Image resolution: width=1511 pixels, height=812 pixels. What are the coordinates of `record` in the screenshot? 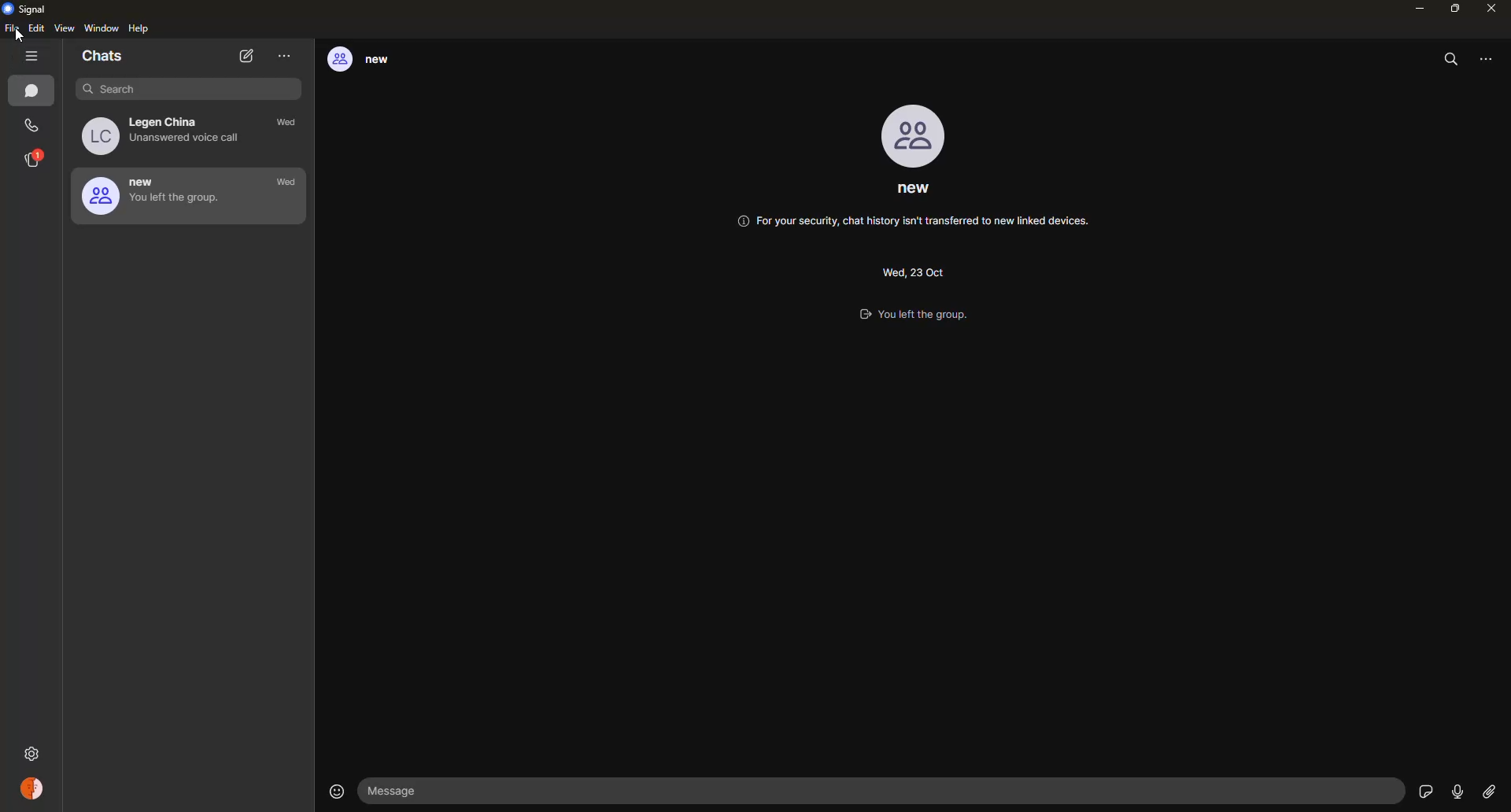 It's located at (1457, 792).